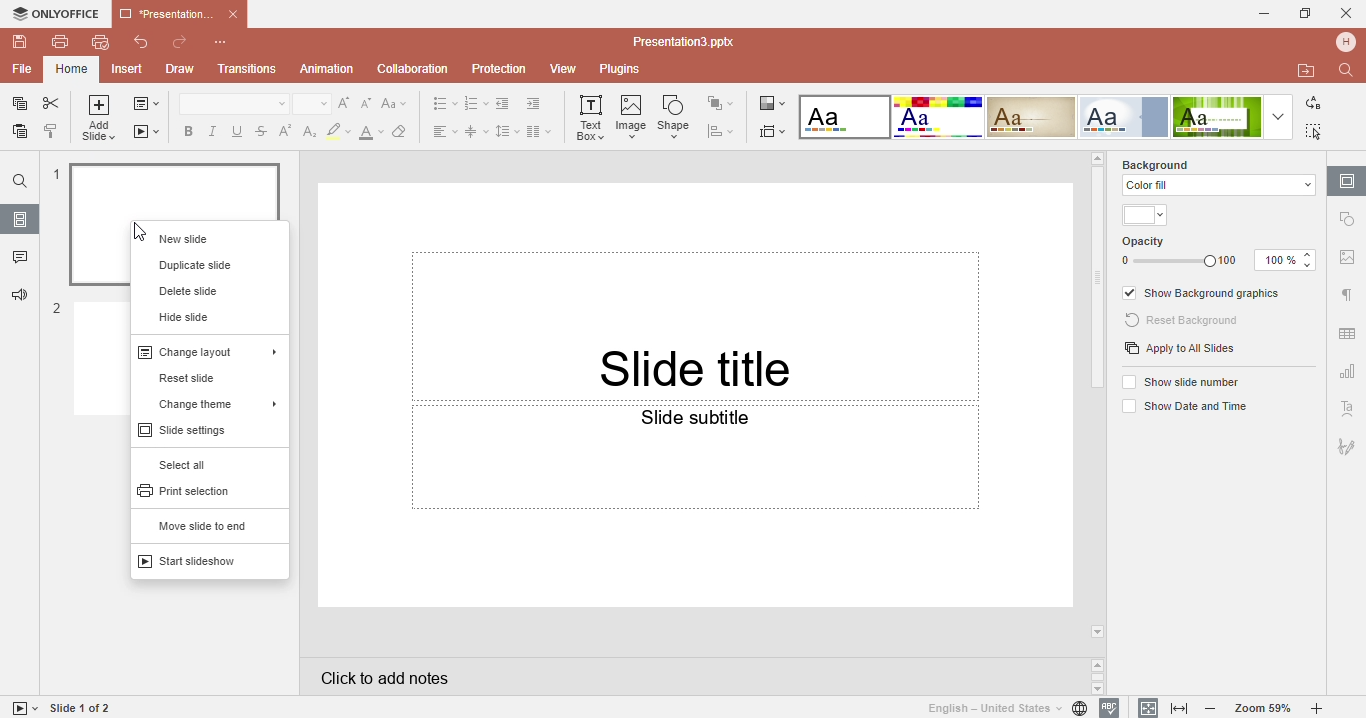 The height and width of the screenshot is (718, 1366). What do you see at coordinates (413, 70) in the screenshot?
I see `Collabration` at bounding box center [413, 70].